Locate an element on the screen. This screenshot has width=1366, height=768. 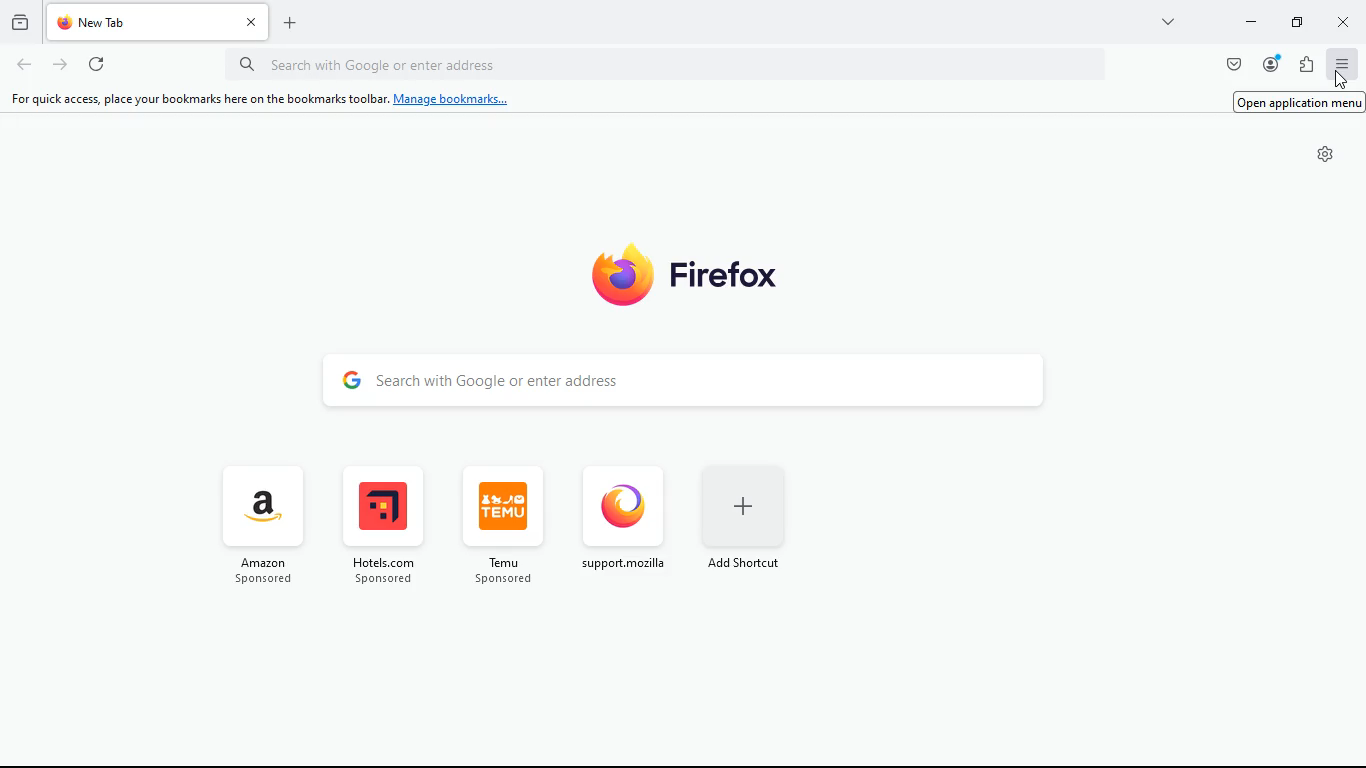
Open application ment is located at coordinates (1299, 101).